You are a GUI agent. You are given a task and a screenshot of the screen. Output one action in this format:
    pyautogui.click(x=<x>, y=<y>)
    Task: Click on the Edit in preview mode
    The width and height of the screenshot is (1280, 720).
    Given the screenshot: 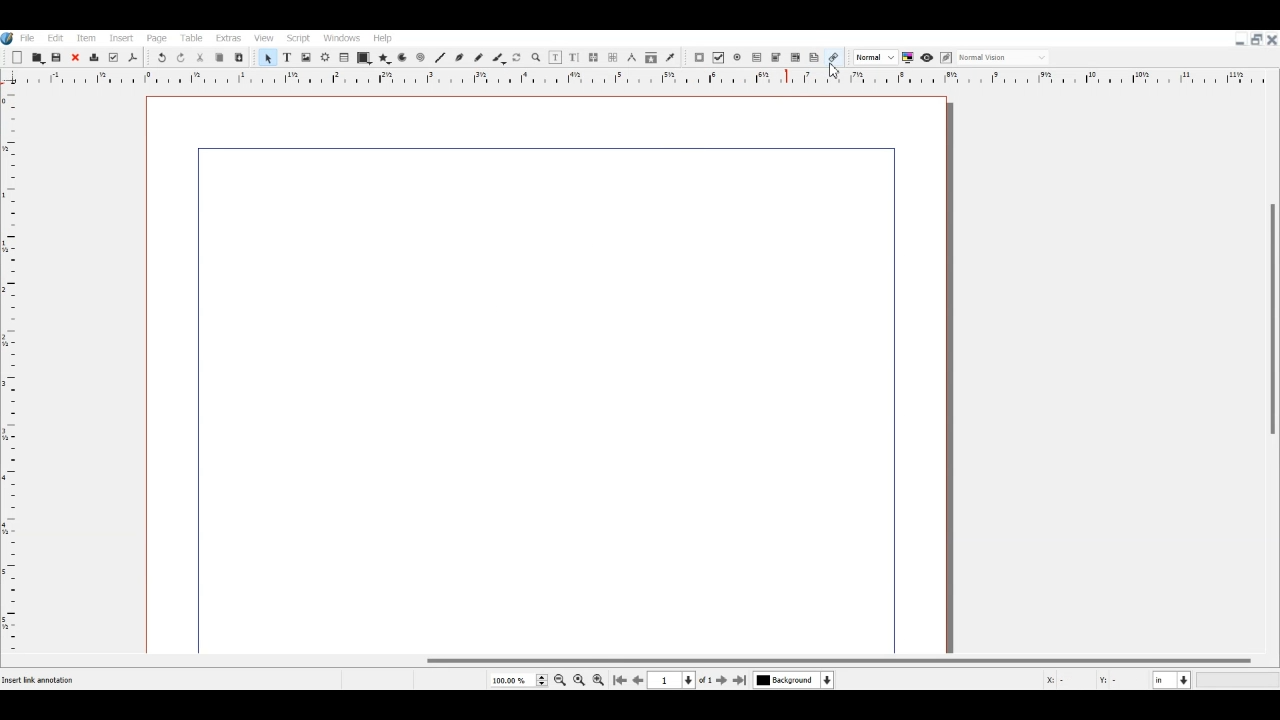 What is the action you would take?
    pyautogui.click(x=946, y=58)
    